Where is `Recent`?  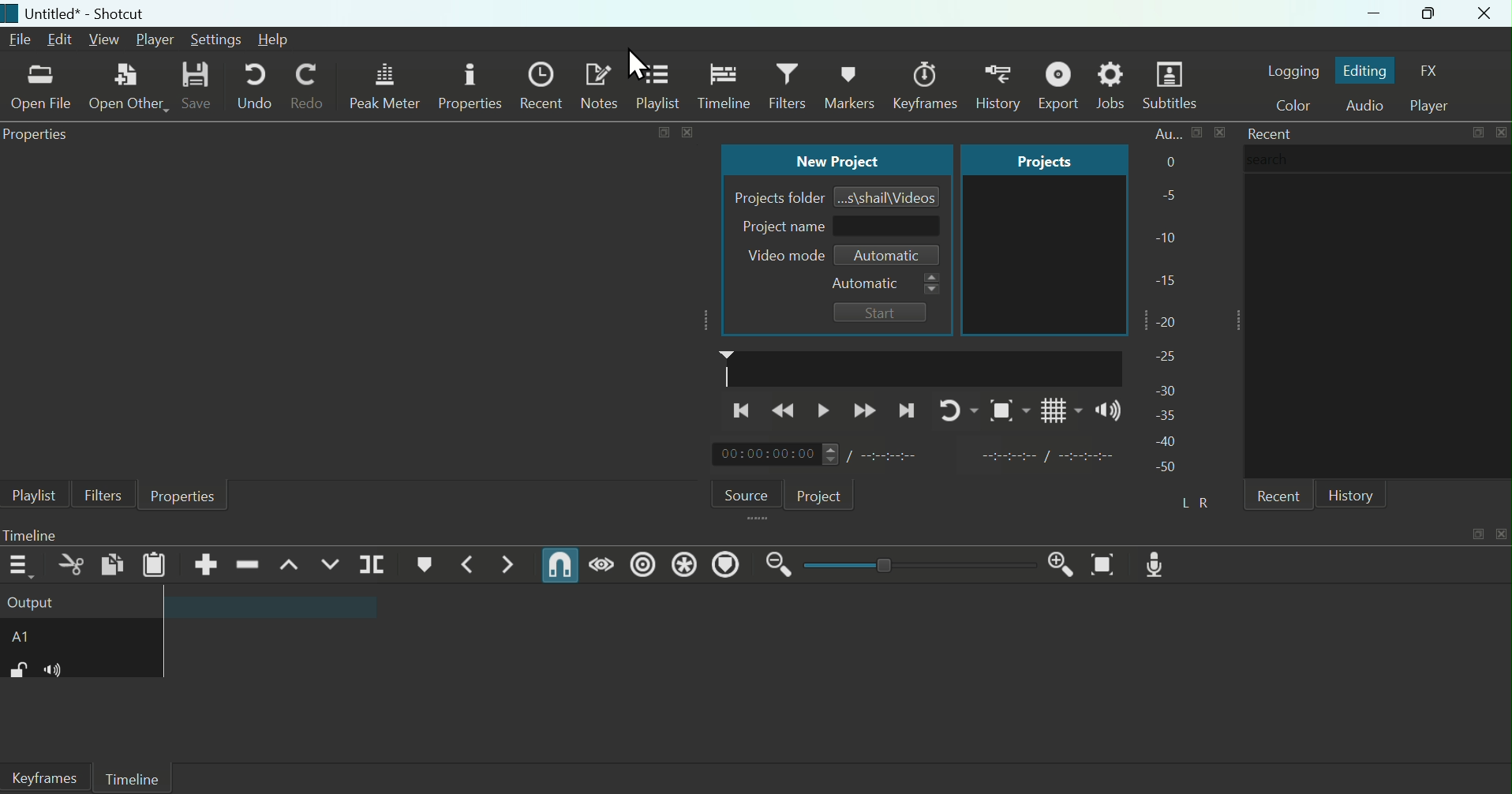
Recent is located at coordinates (545, 85).